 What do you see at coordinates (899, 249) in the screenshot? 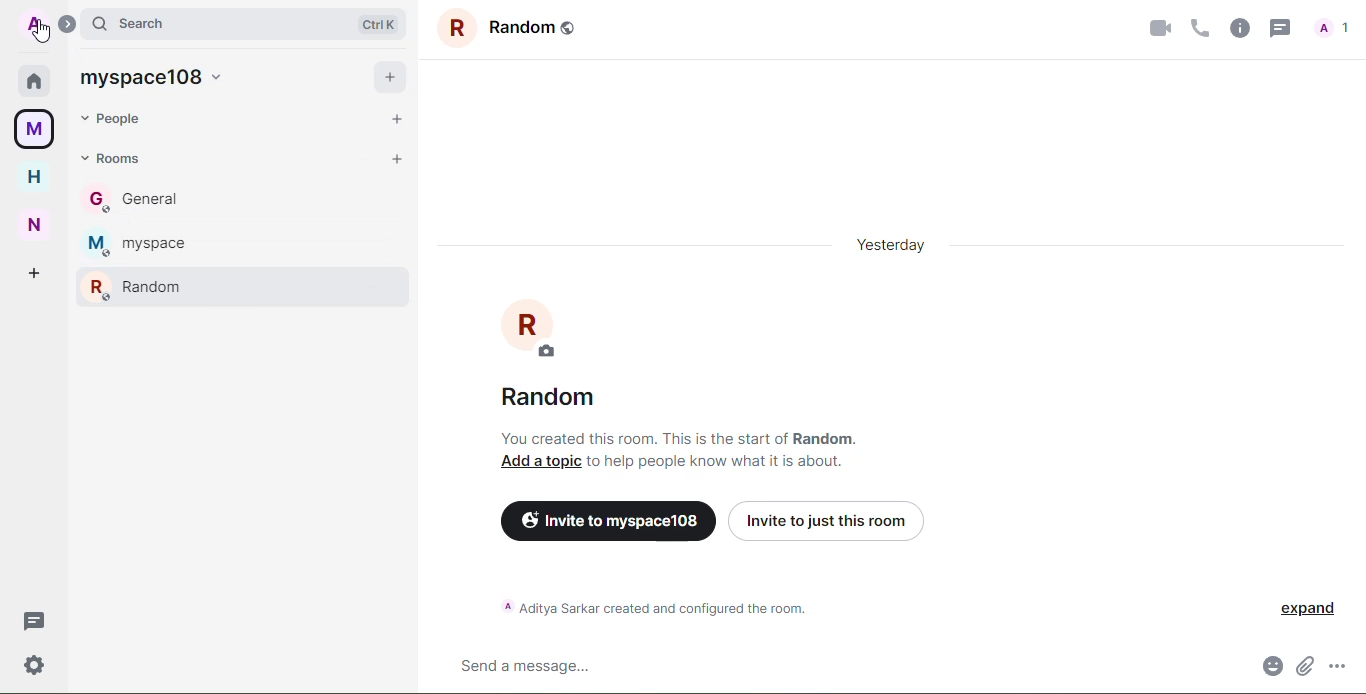
I see `Yesterday` at bounding box center [899, 249].